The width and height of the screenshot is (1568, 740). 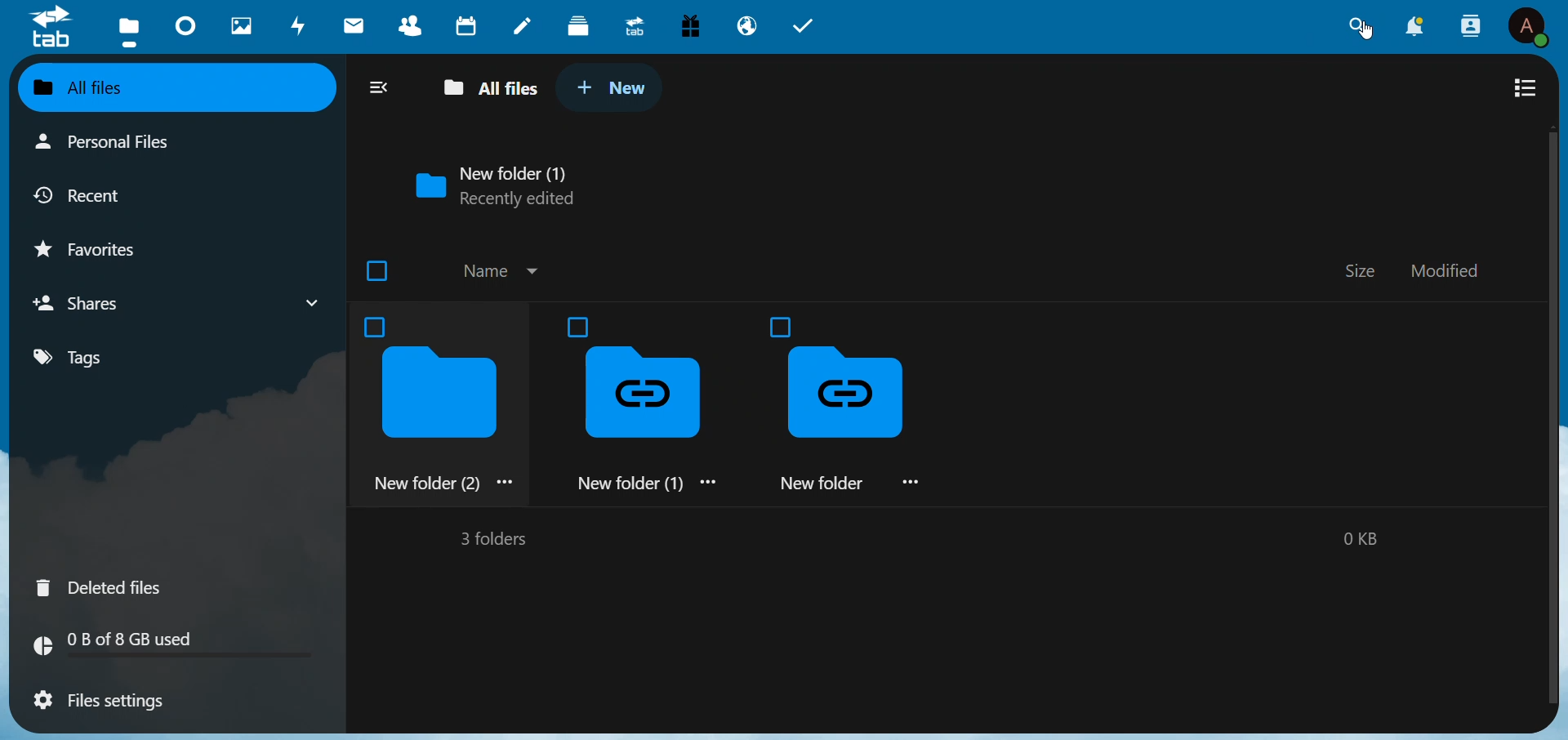 I want to click on contacts, so click(x=415, y=29).